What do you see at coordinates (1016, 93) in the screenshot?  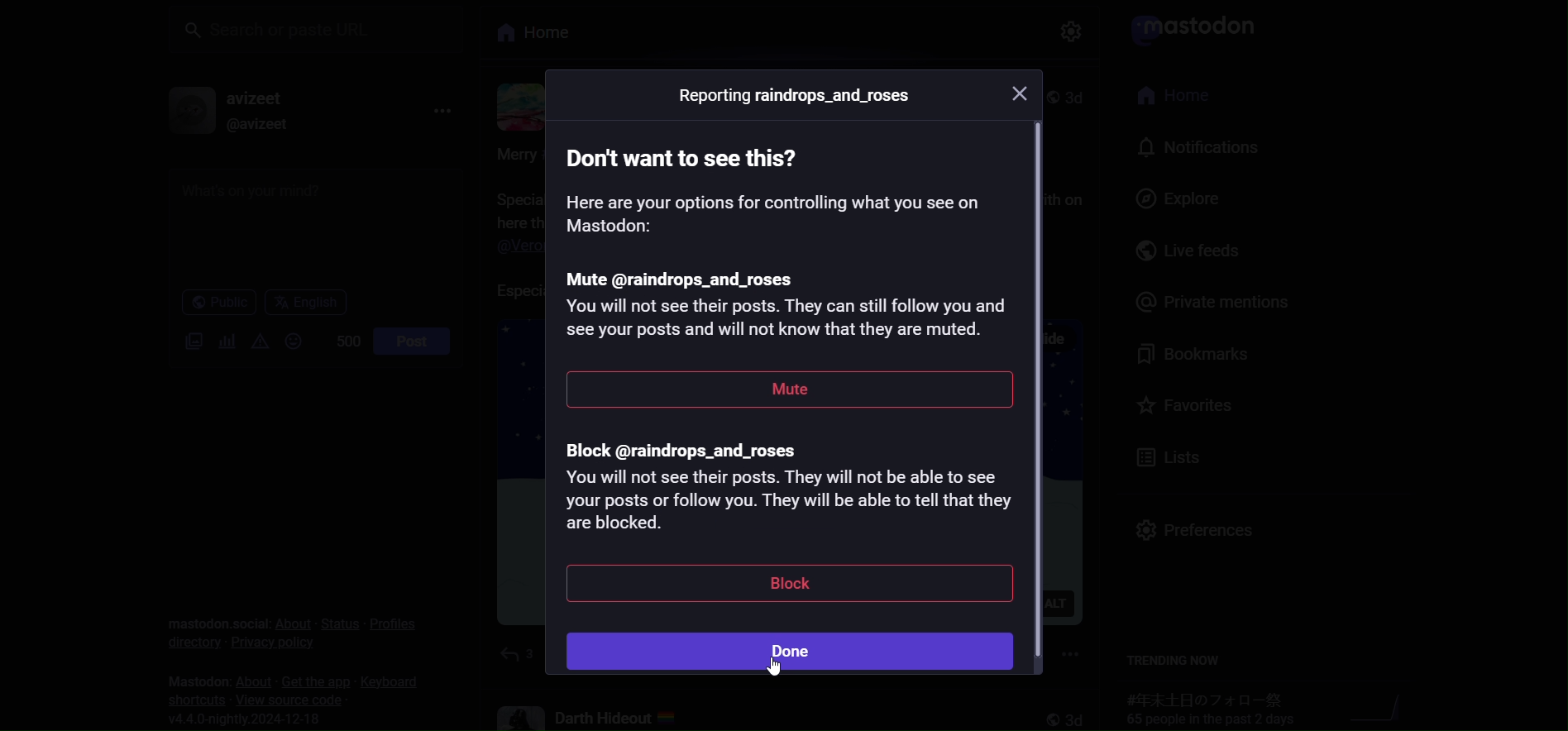 I see `close` at bounding box center [1016, 93].